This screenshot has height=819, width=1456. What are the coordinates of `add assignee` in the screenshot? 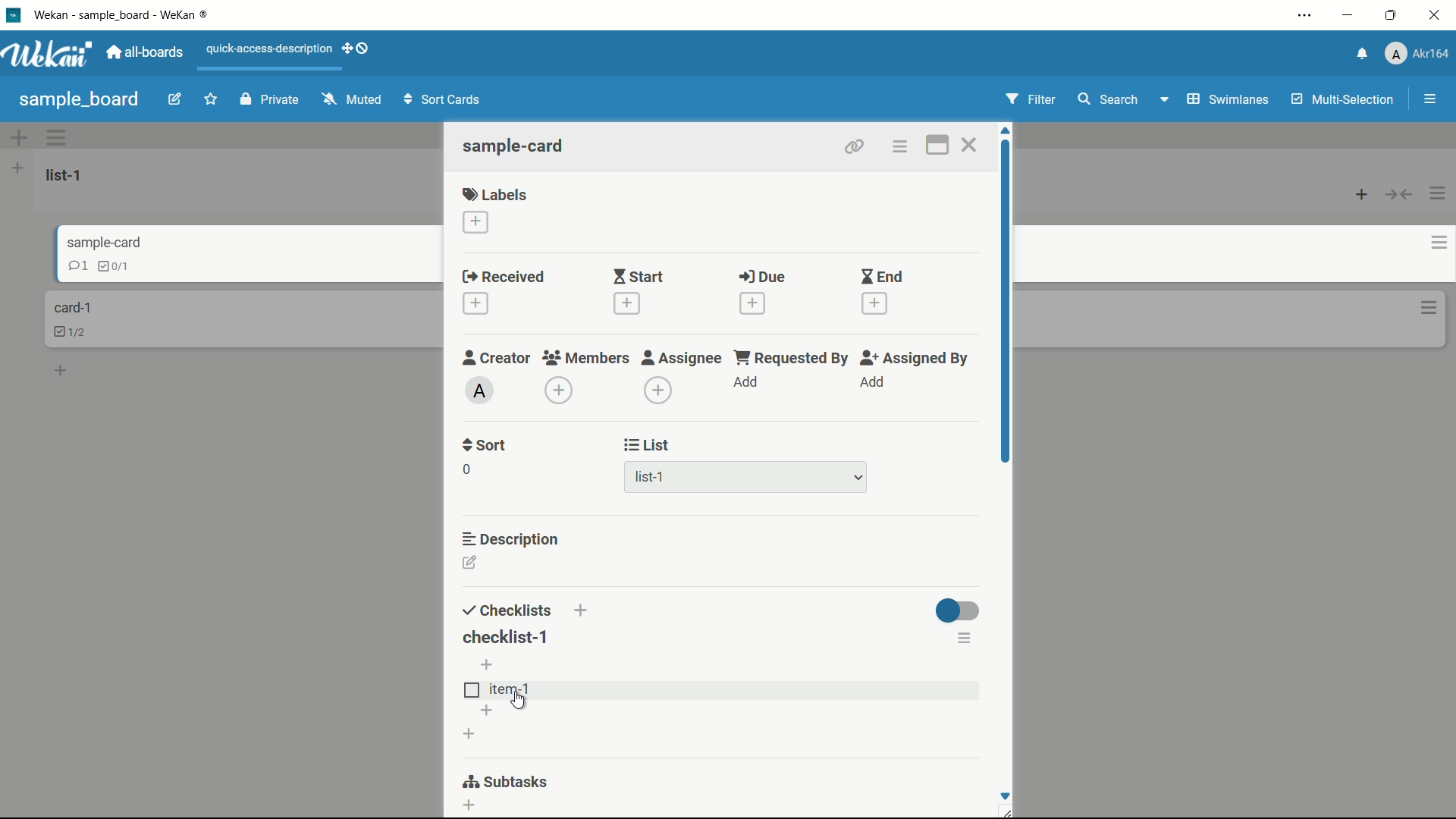 It's located at (872, 381).